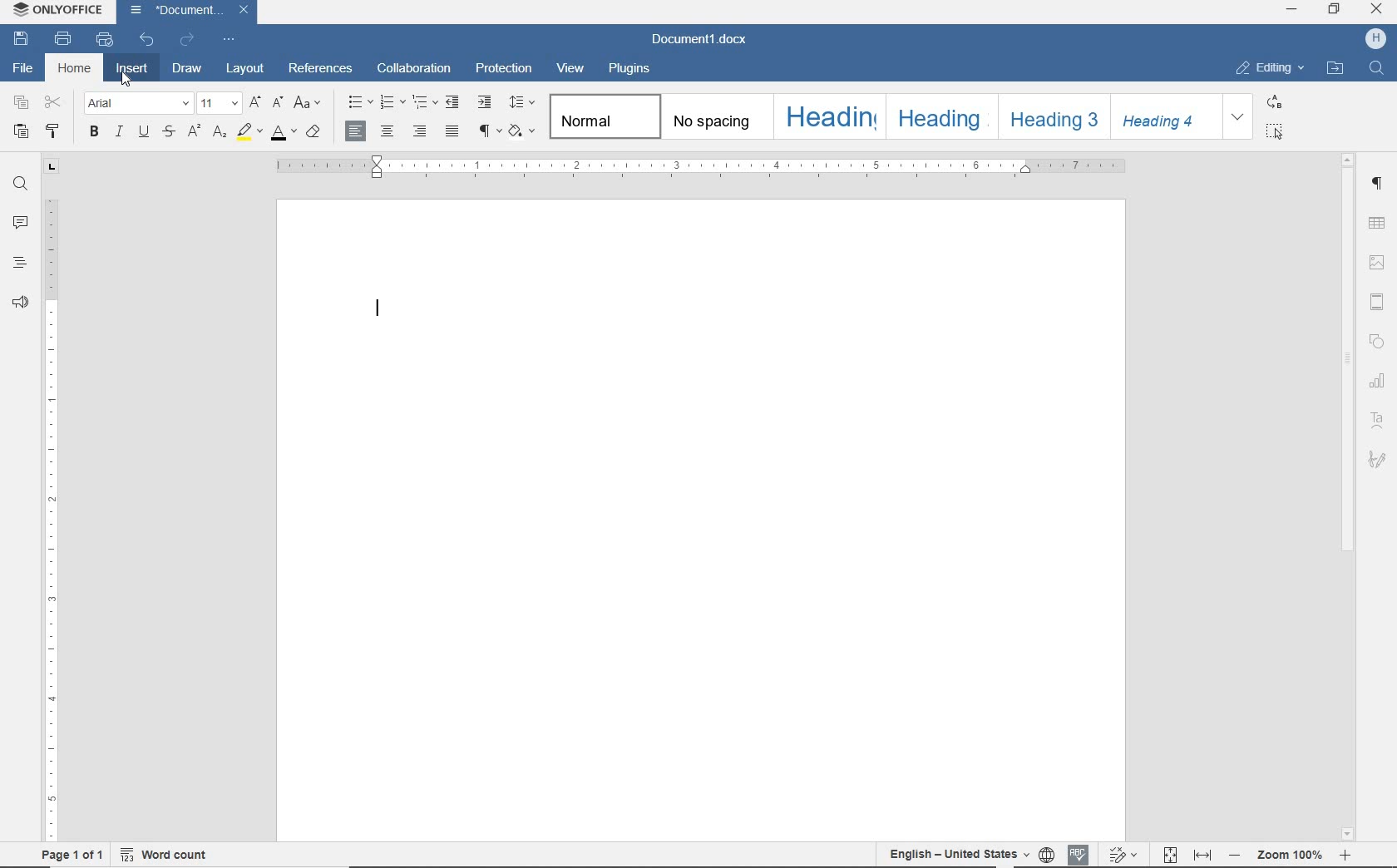  I want to click on open file location, so click(1338, 70).